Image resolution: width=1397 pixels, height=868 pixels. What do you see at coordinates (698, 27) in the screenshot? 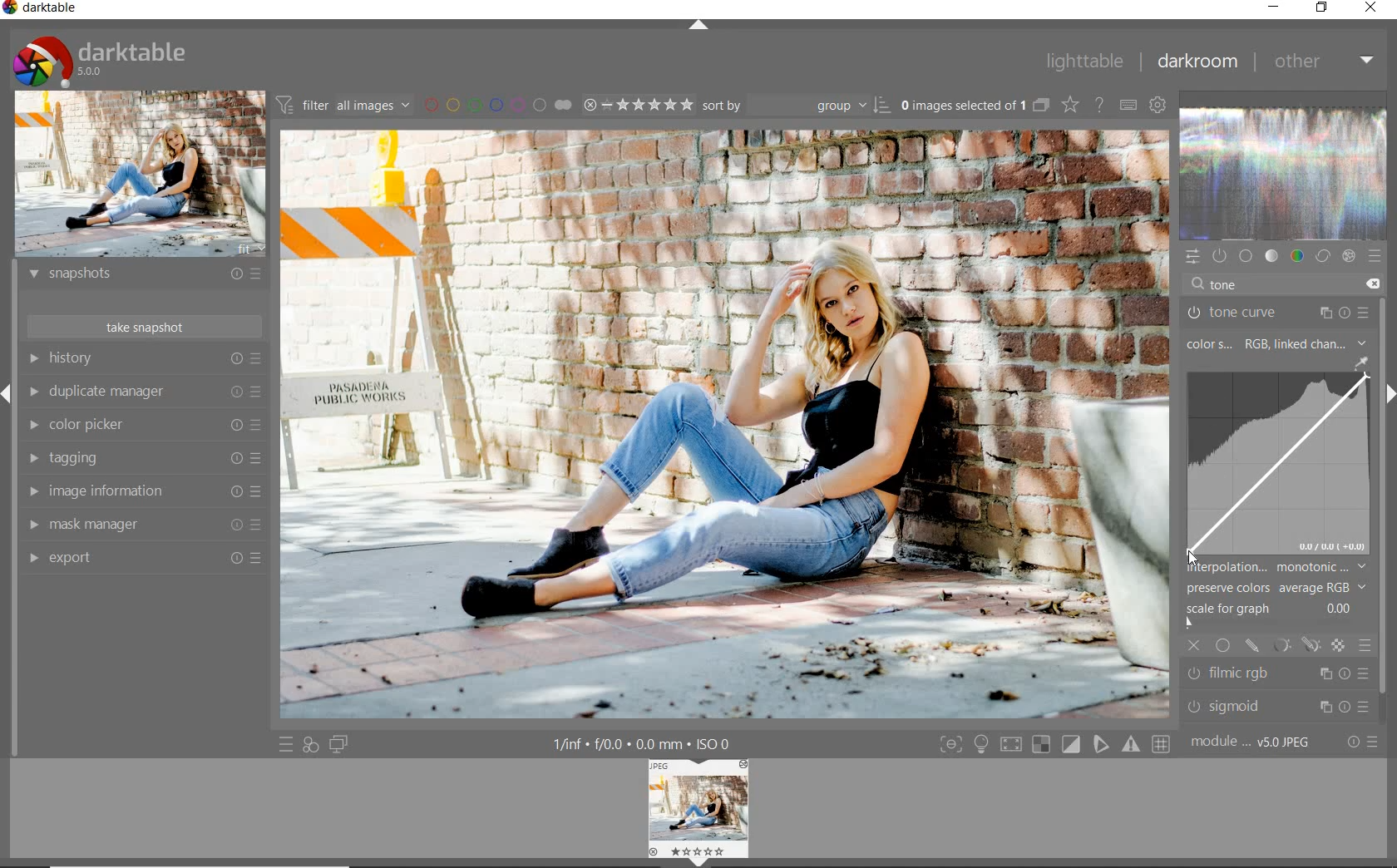
I see `expand/collapse` at bounding box center [698, 27].